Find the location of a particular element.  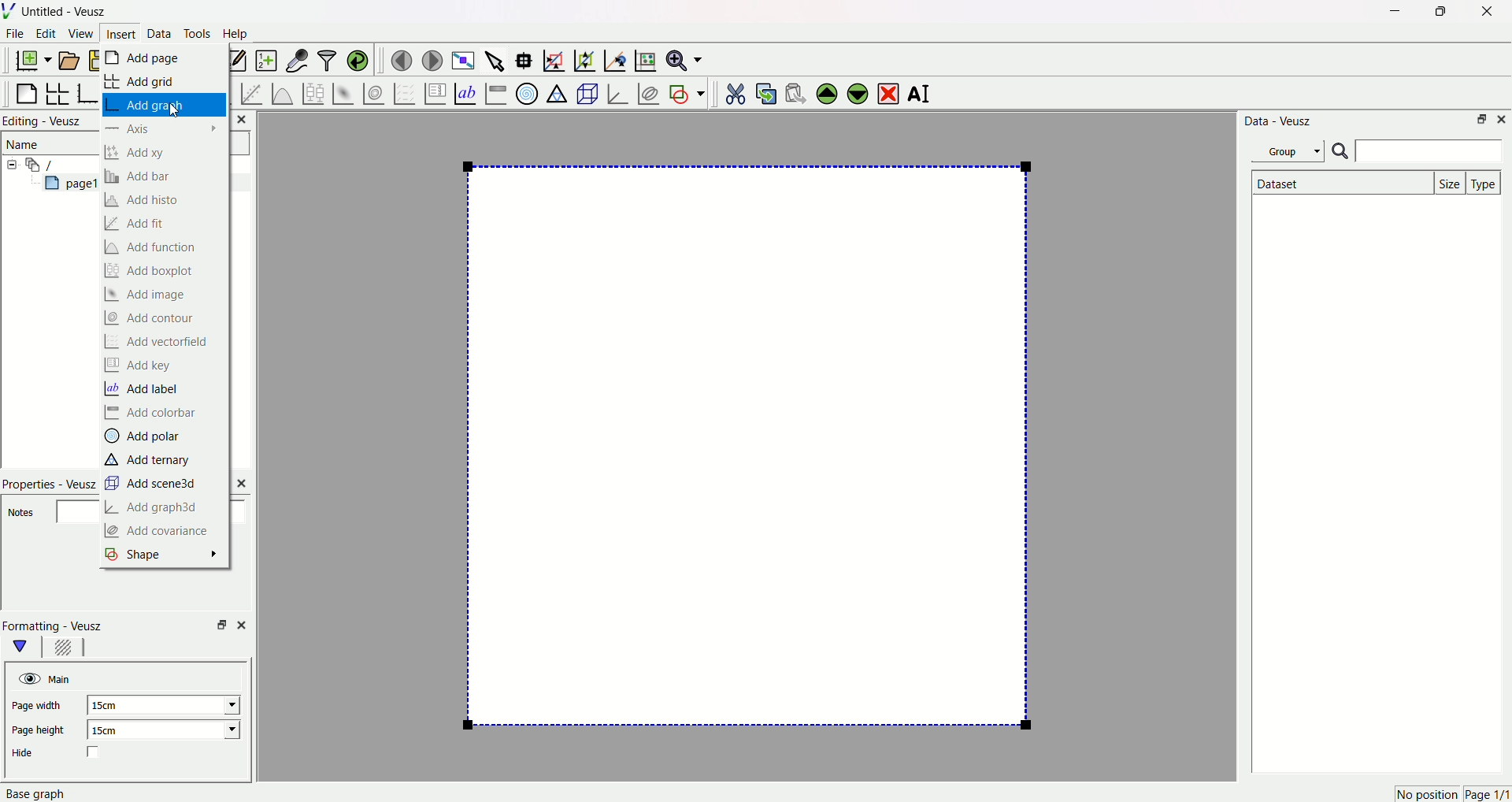

open document is located at coordinates (70, 60).